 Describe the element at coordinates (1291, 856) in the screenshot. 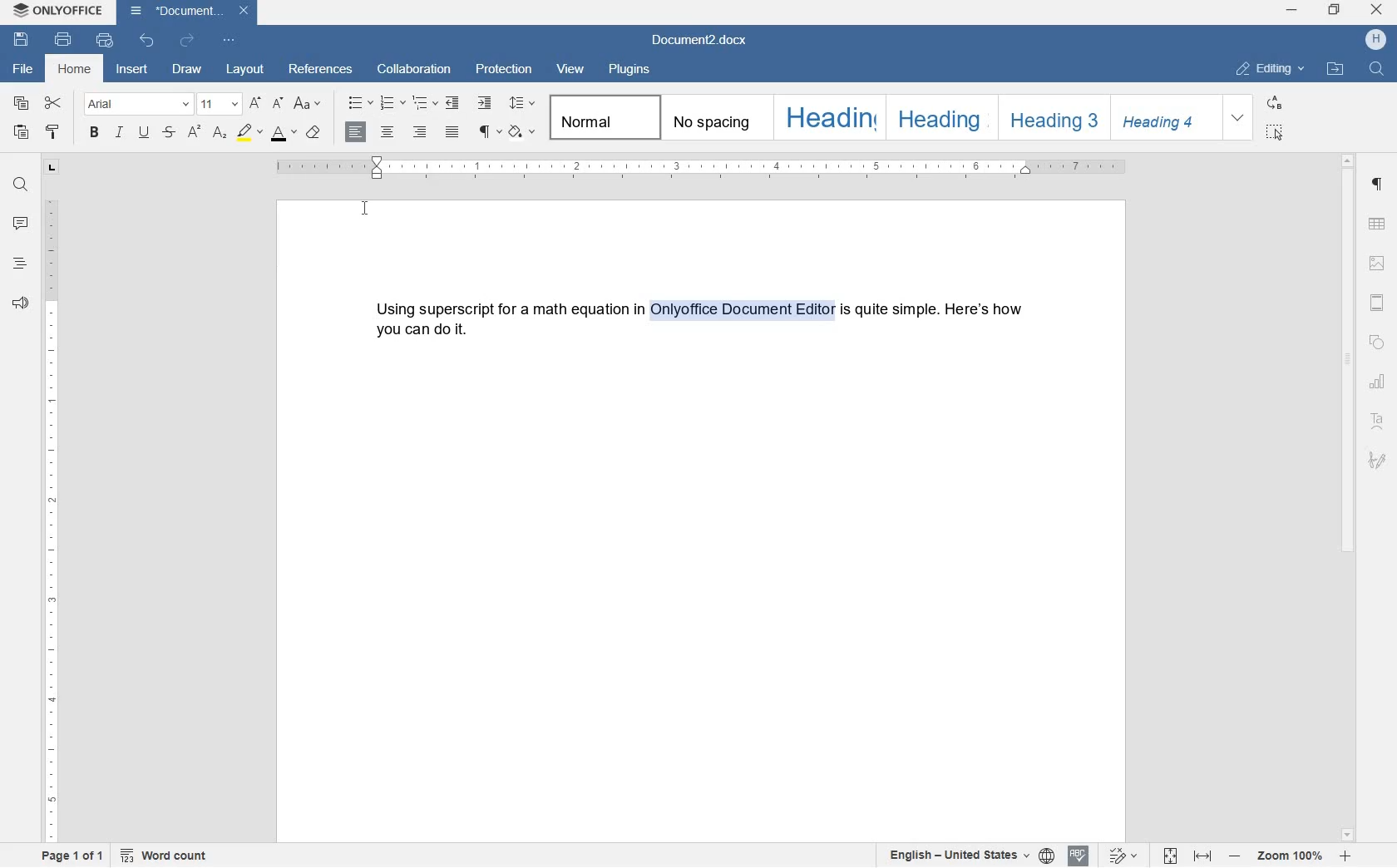

I see `zoom in or zoom out` at that location.